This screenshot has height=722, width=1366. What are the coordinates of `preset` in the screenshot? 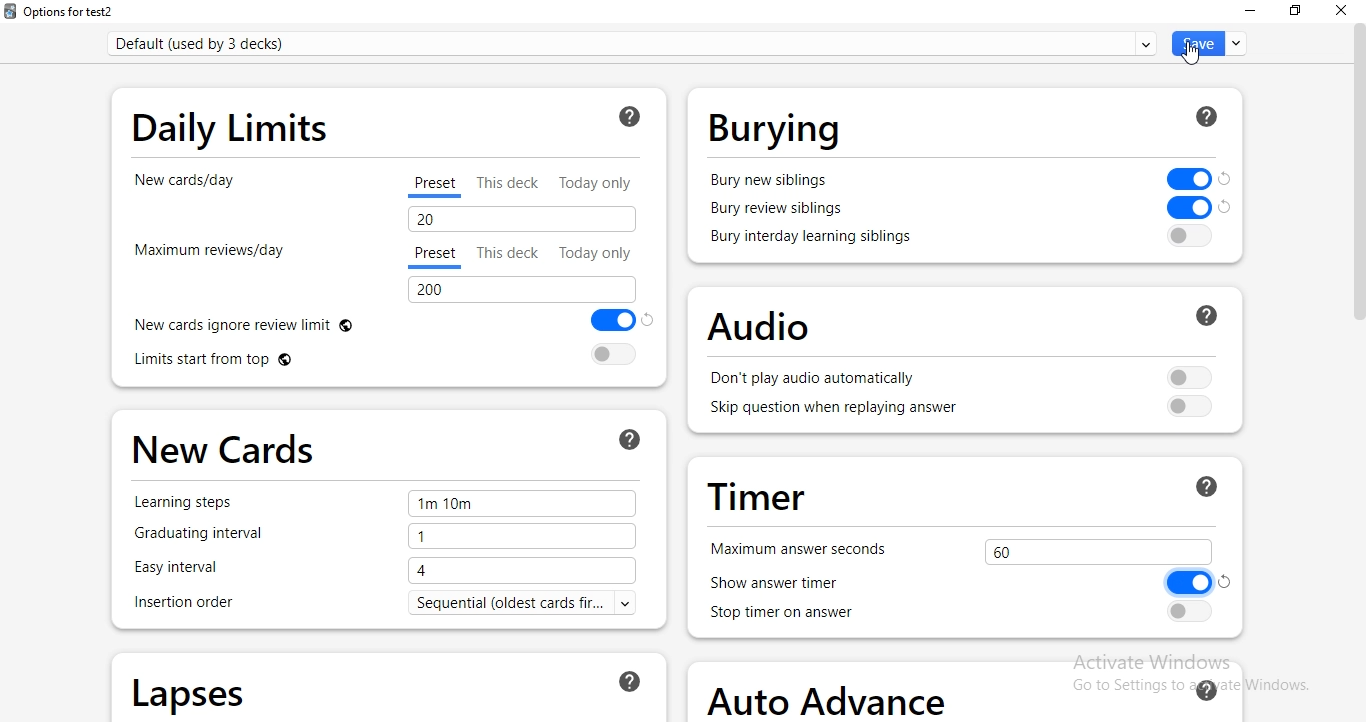 It's located at (436, 254).